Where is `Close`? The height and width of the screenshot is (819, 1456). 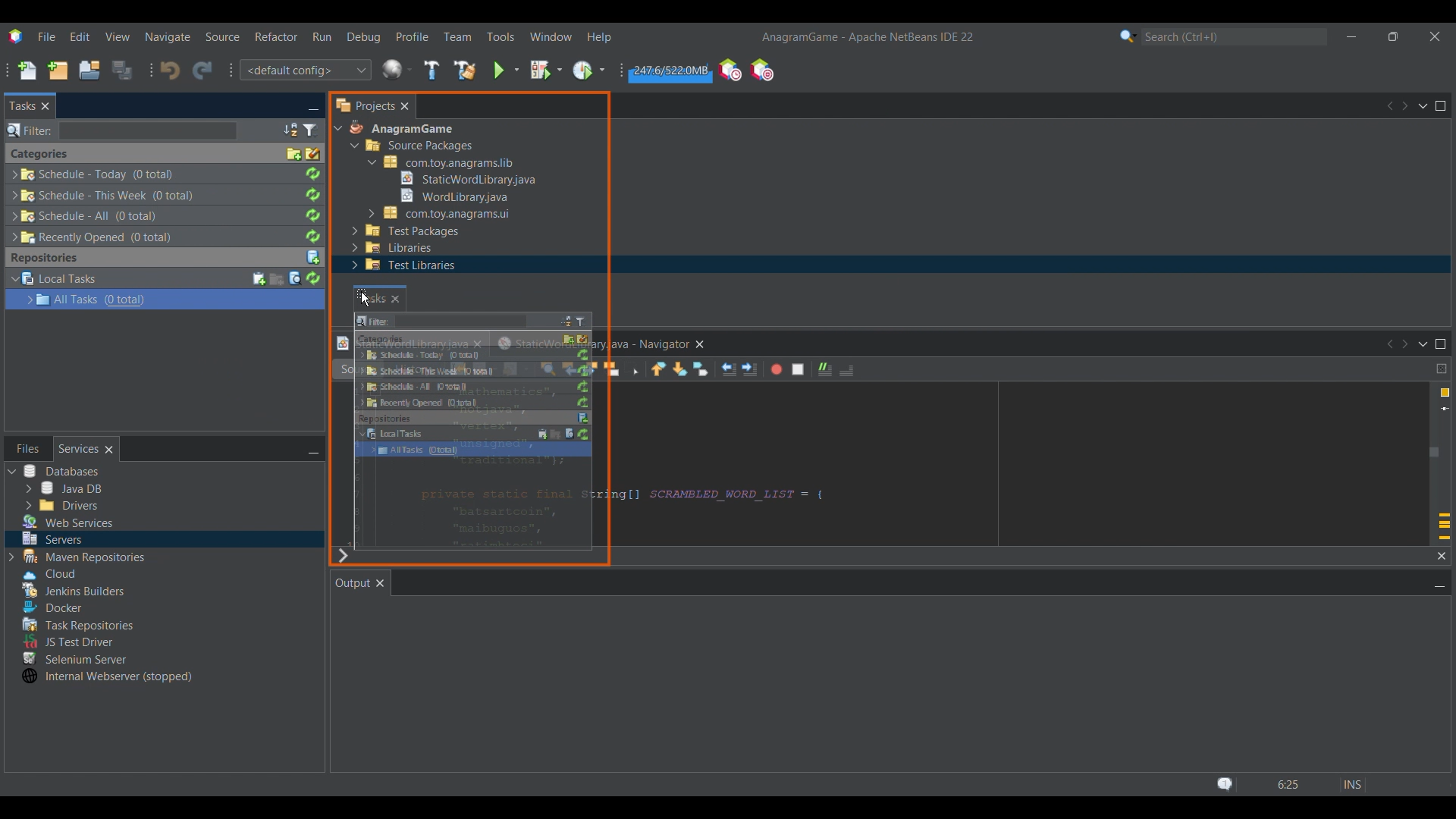
Close is located at coordinates (380, 583).